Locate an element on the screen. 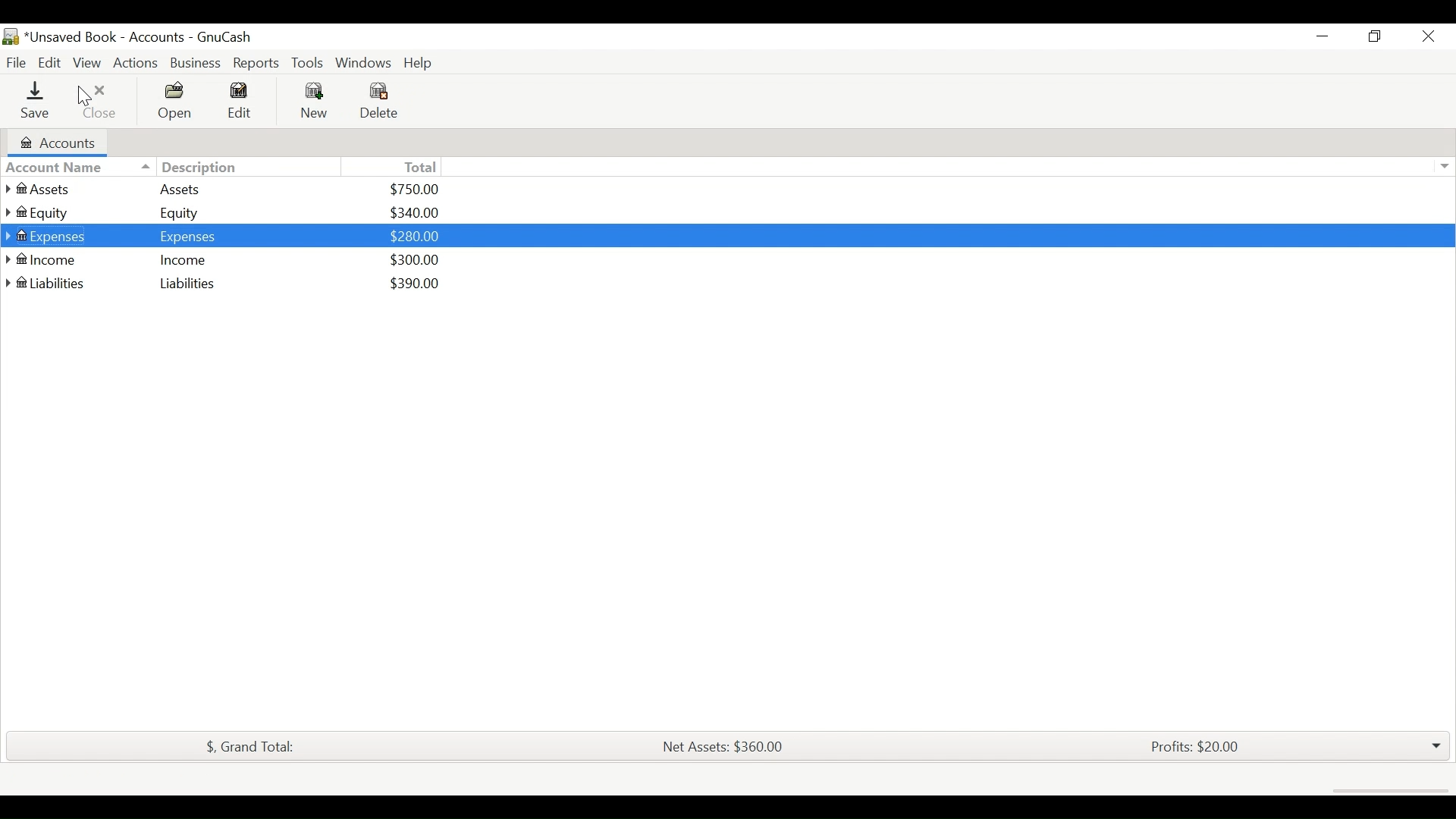 The image size is (1456, 819). Net Assets is located at coordinates (721, 747).